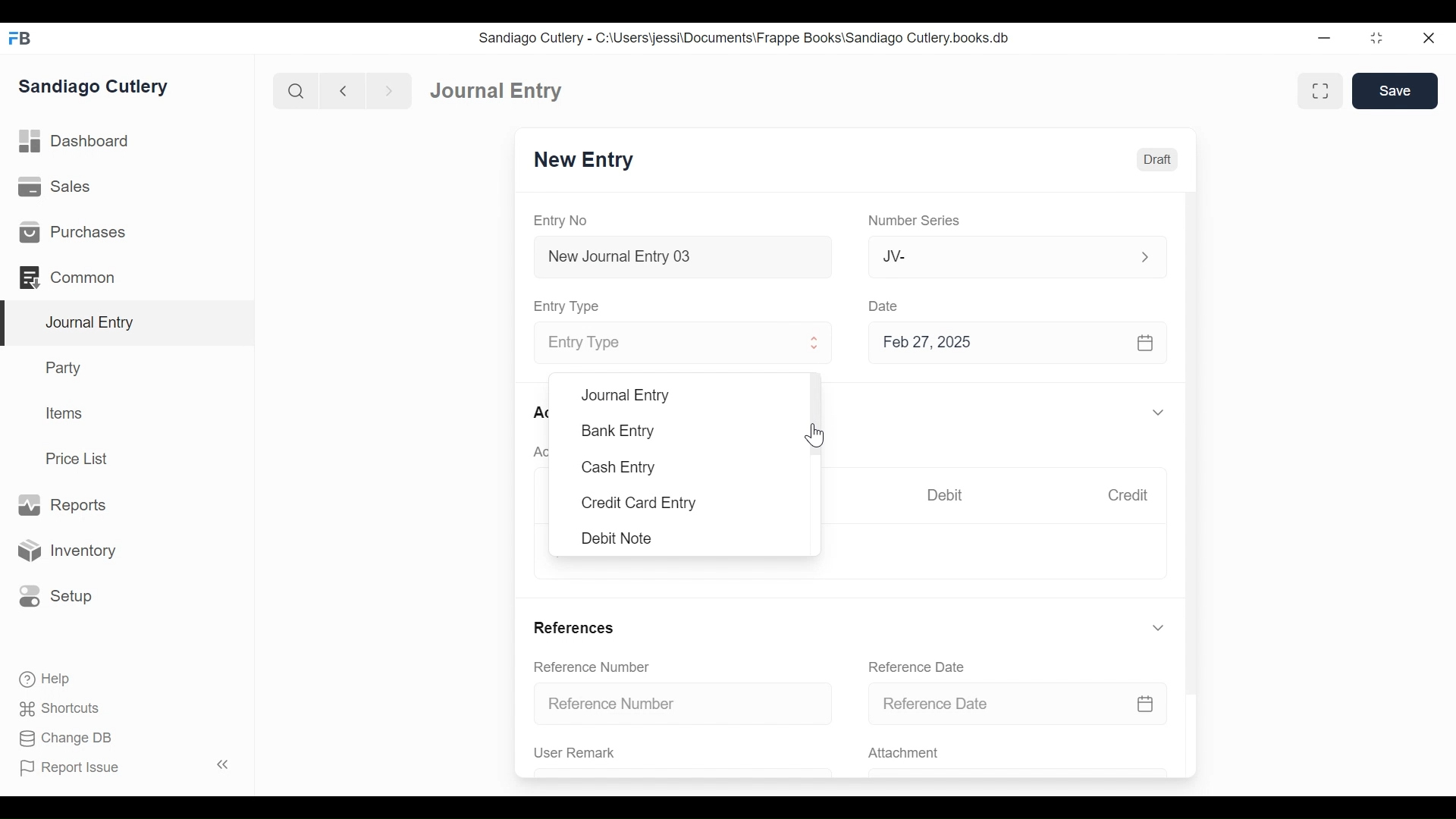 The height and width of the screenshot is (819, 1456). I want to click on Close, so click(1427, 38).